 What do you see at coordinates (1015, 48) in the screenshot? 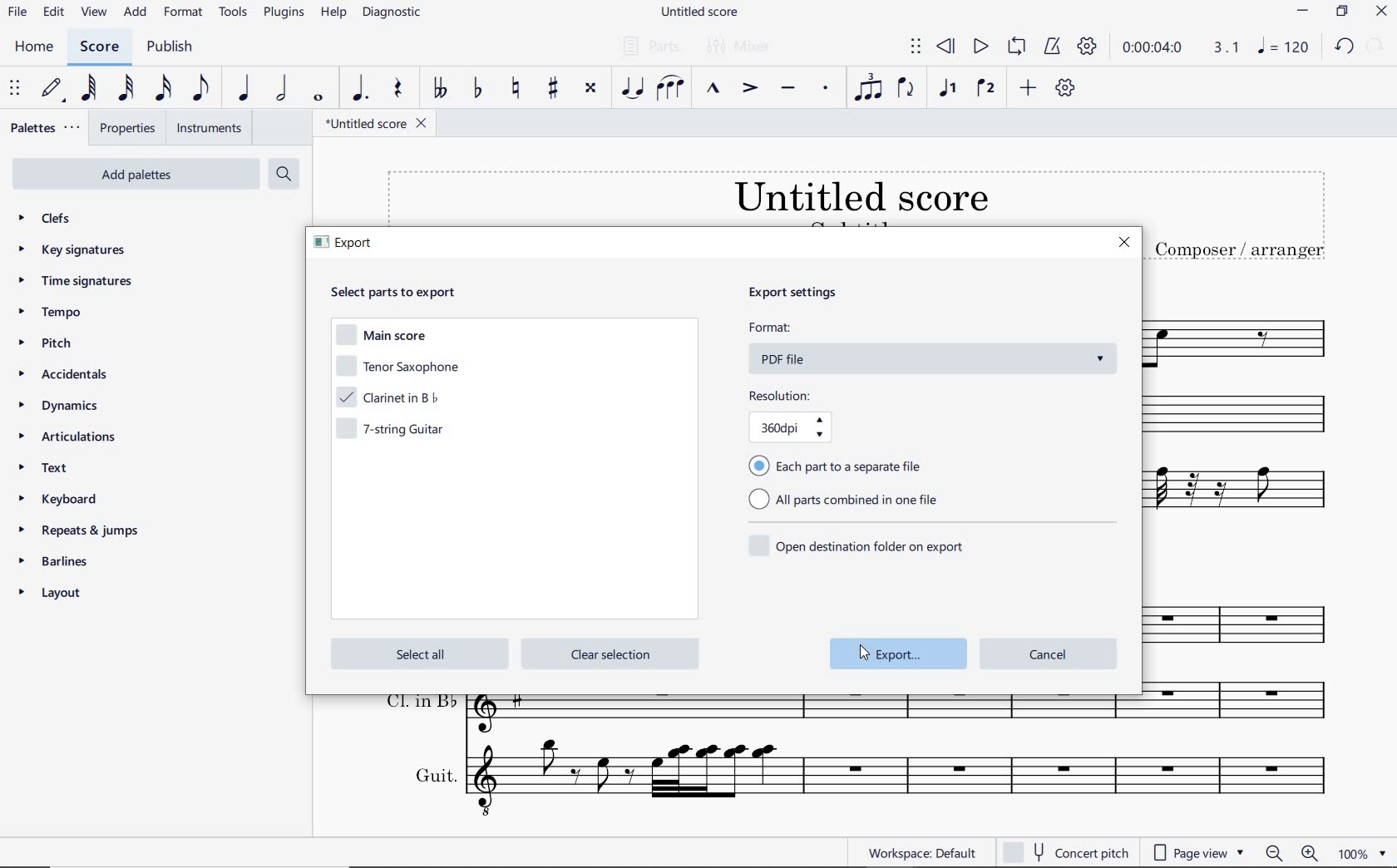
I see `LOOP PLAYBACK` at bounding box center [1015, 48].